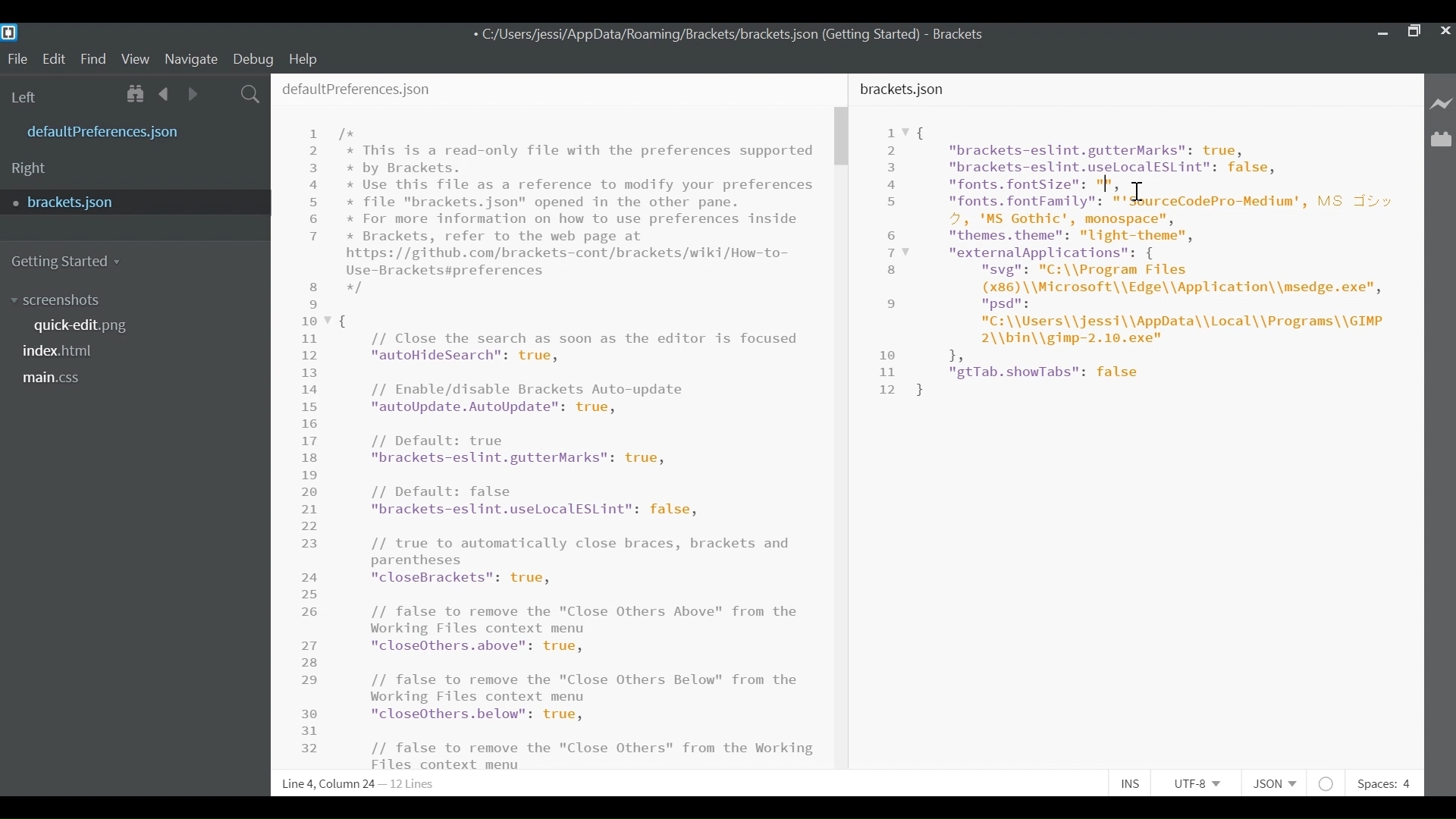 This screenshot has width=1456, height=819. What do you see at coordinates (1156, 259) in the screenshot?
I see `"brackets-eslint.gutterMarks": true,
"brackets-eslint.uselocalESLint": false,
"fonts. fontSize": an,
"fonts. fontFamily": "'SourceCodePro-Medium', MS Jv
4, 'MS Gothic', monospace",
"themes. theme": "light-theme",
"externalApplications": {
"svg": "C:\\Program Files
(x86) \\Microsoft\\Edge\\Application\\msedge.exe",
psd:
"C:\\Users\\jessi\\AppData\\Local\\Programs\\GIMP
2\\bin\\gimp-2.10.exe"
1,
"gtTab.showTabs": false` at bounding box center [1156, 259].